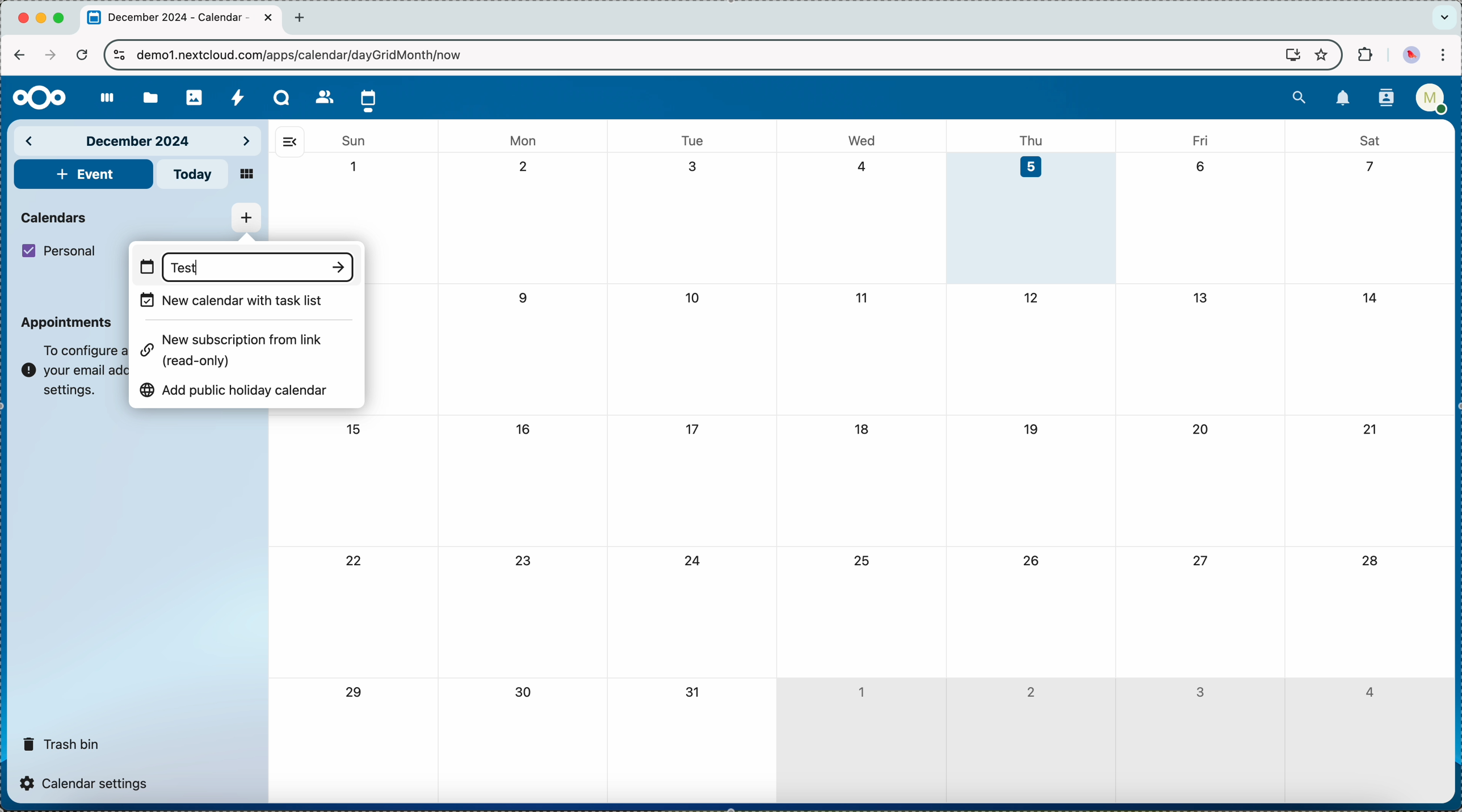 The height and width of the screenshot is (812, 1462). Describe the element at coordinates (1369, 140) in the screenshot. I see `sat` at that location.